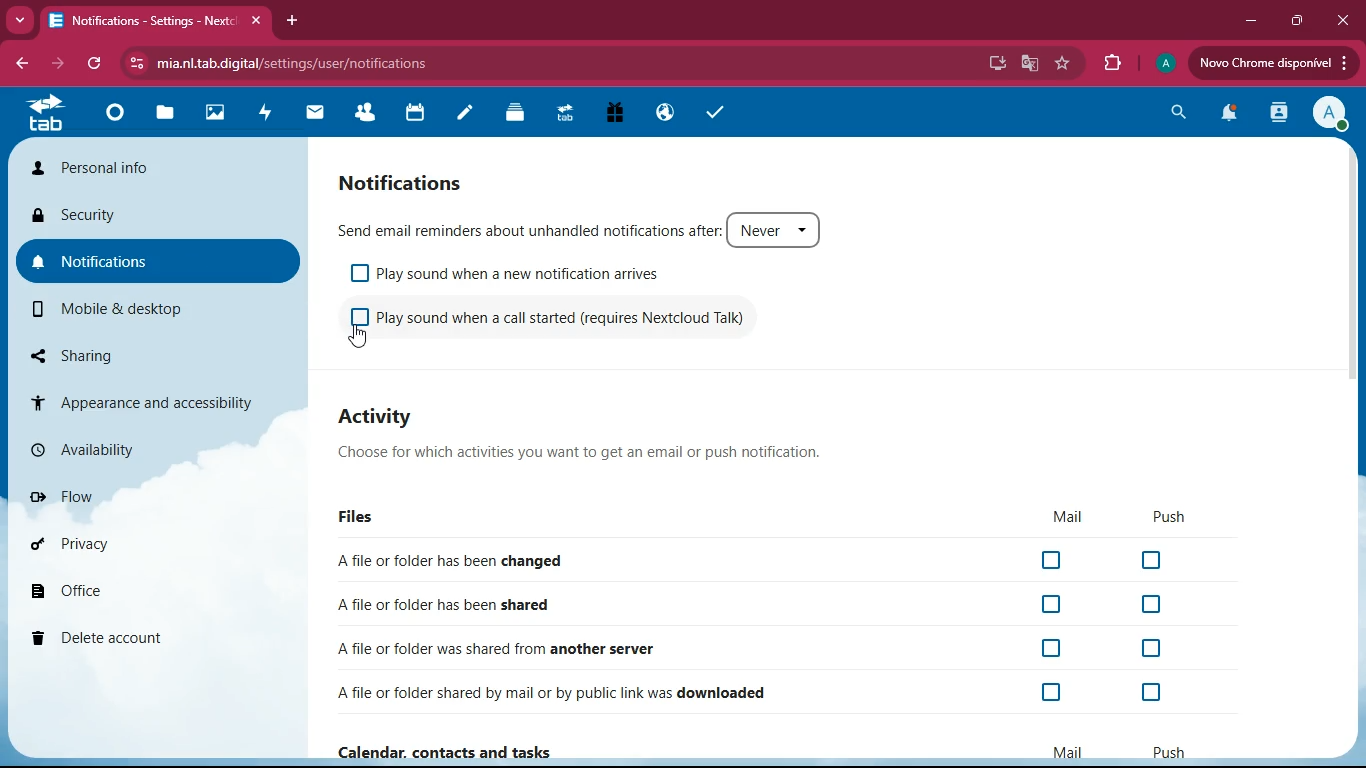 The height and width of the screenshot is (768, 1366). Describe the element at coordinates (1113, 61) in the screenshot. I see `extensions` at that location.